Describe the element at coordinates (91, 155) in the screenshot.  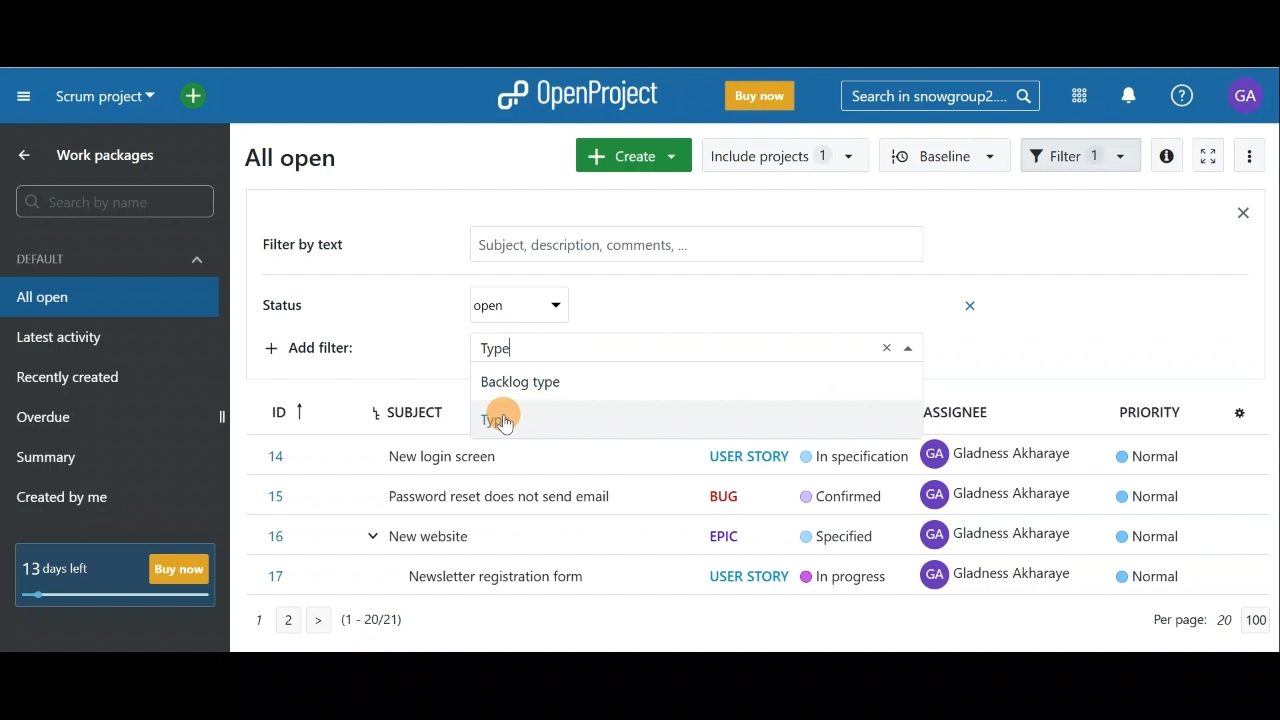
I see `Work packages` at that location.